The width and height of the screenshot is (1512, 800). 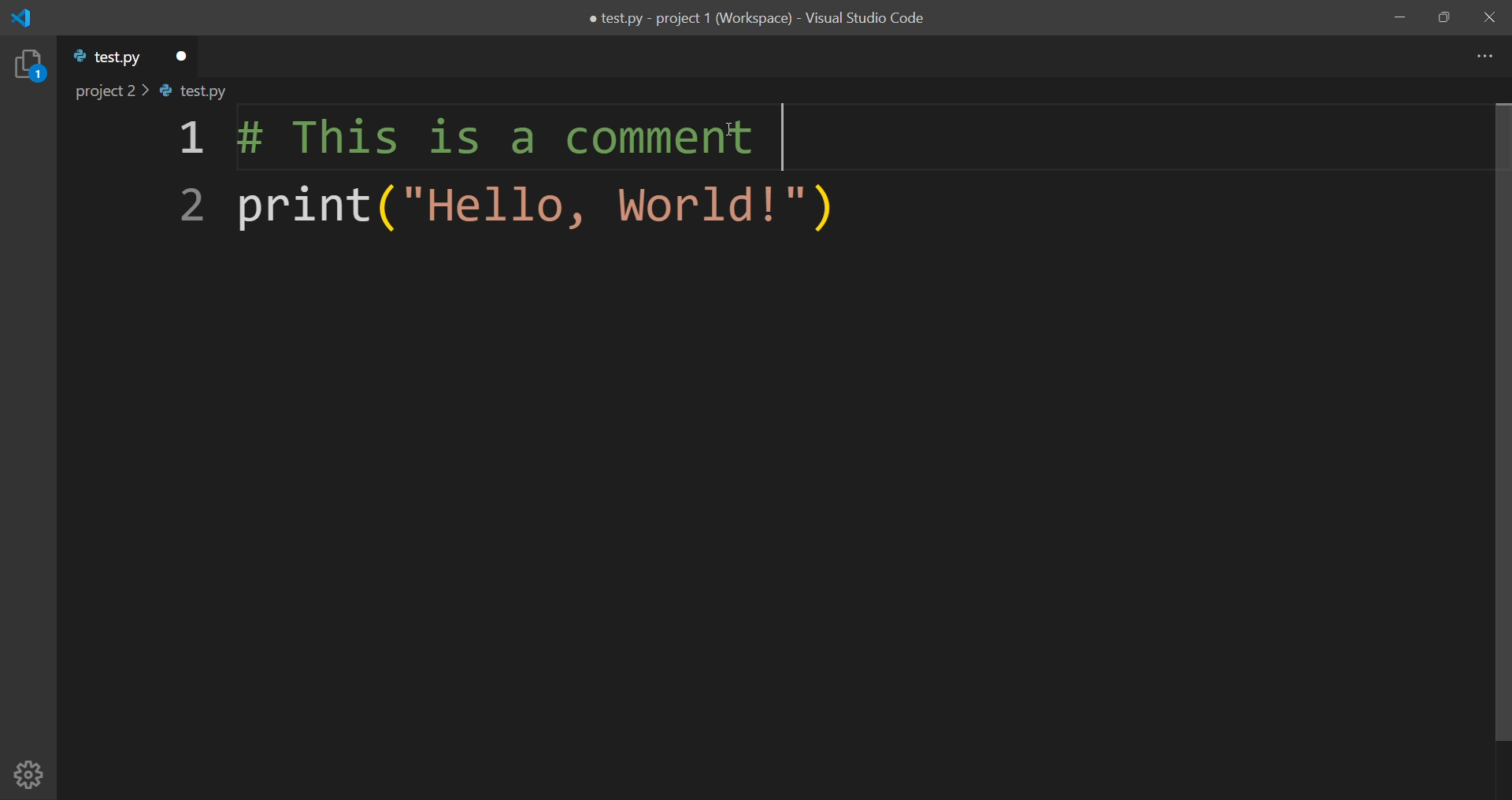 What do you see at coordinates (733, 128) in the screenshot?
I see `Cursor` at bounding box center [733, 128].